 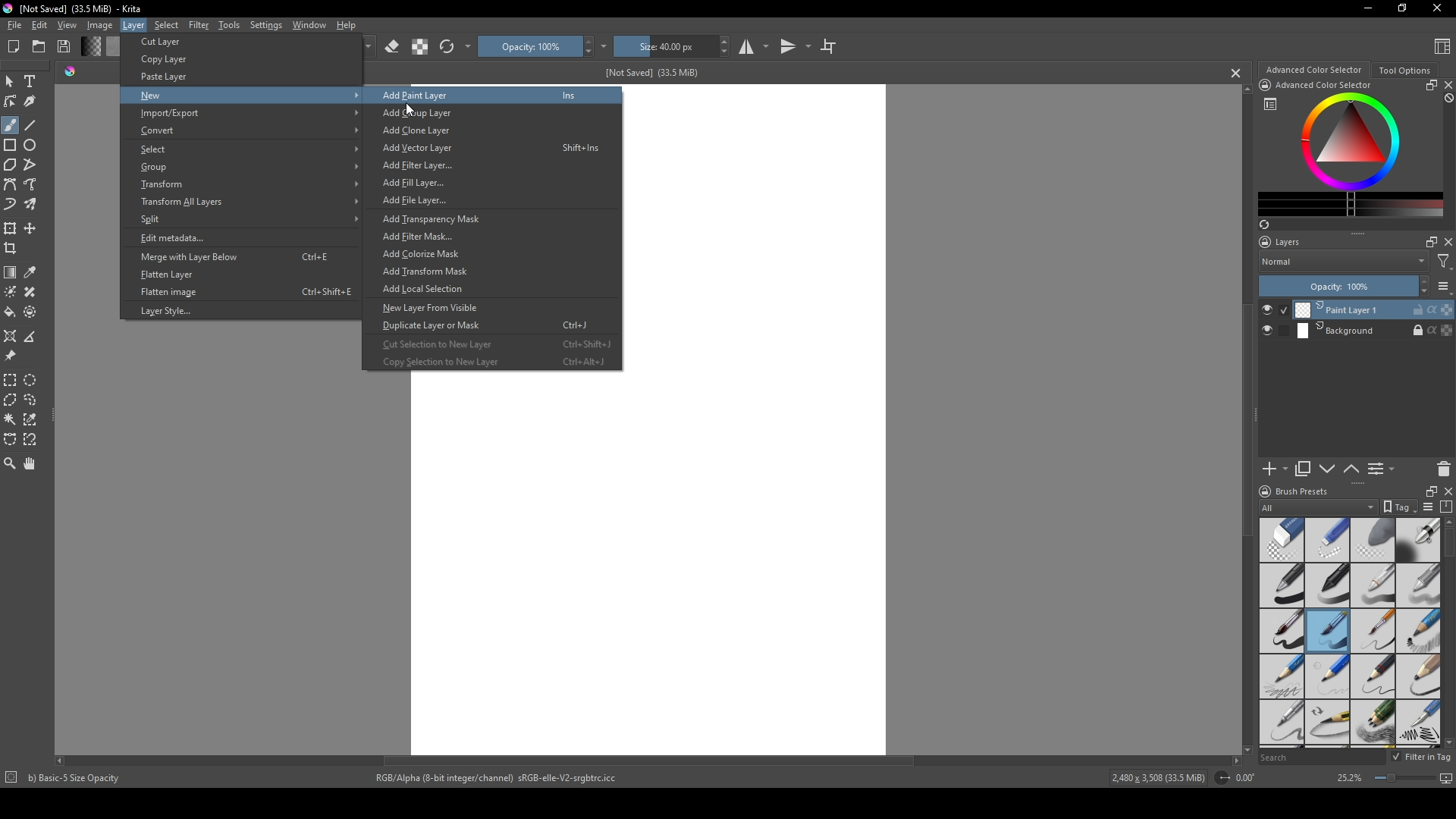 I want to click on soft eraser, so click(x=1373, y=539).